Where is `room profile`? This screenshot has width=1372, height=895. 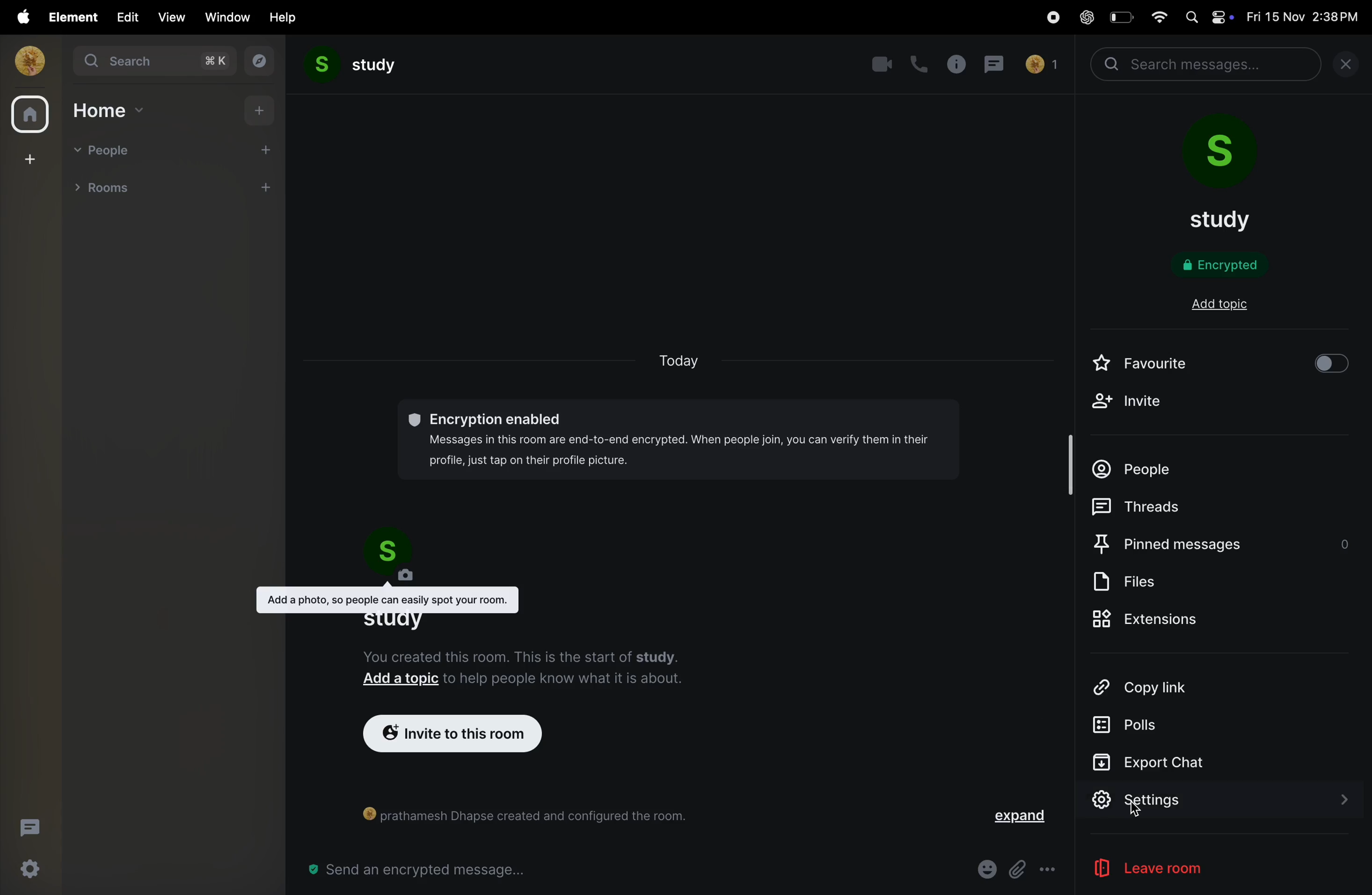
room profile is located at coordinates (1229, 156).